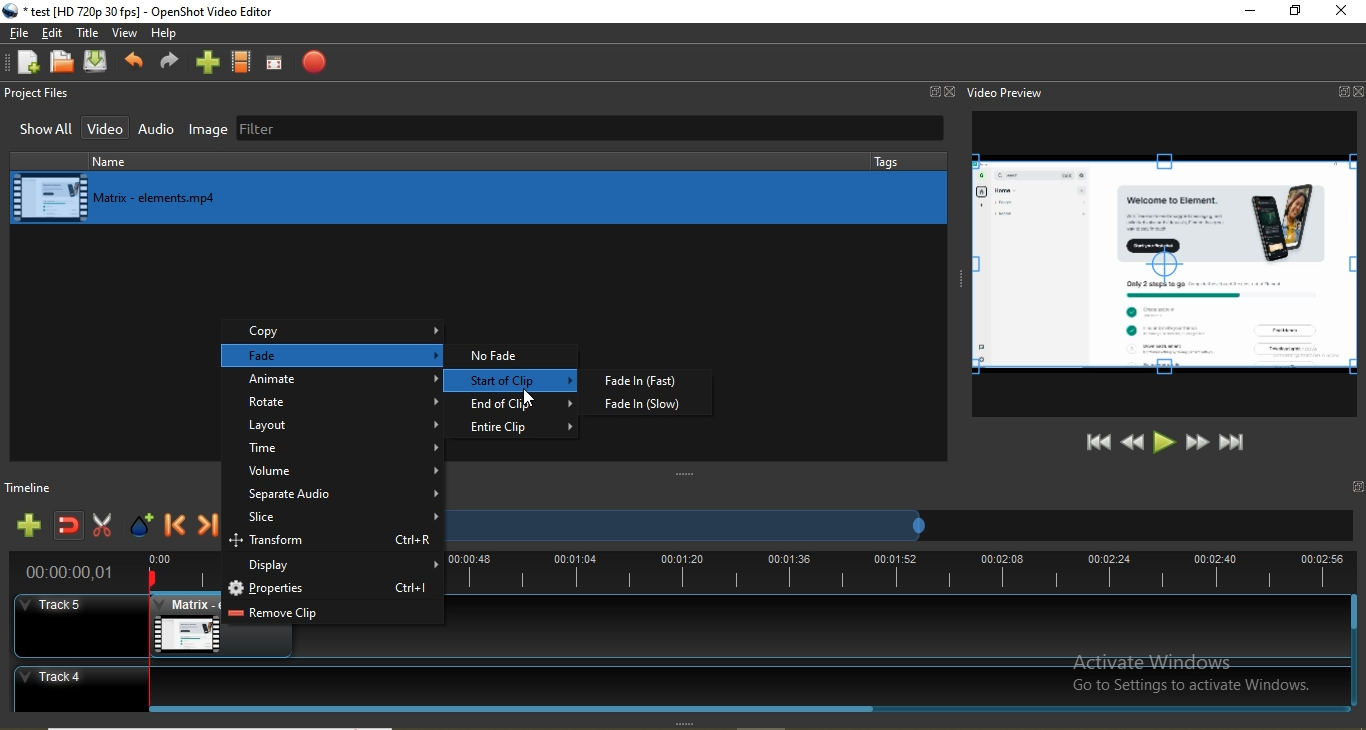 Image resolution: width=1366 pixels, height=730 pixels. What do you see at coordinates (334, 543) in the screenshot?
I see `transform` at bounding box center [334, 543].